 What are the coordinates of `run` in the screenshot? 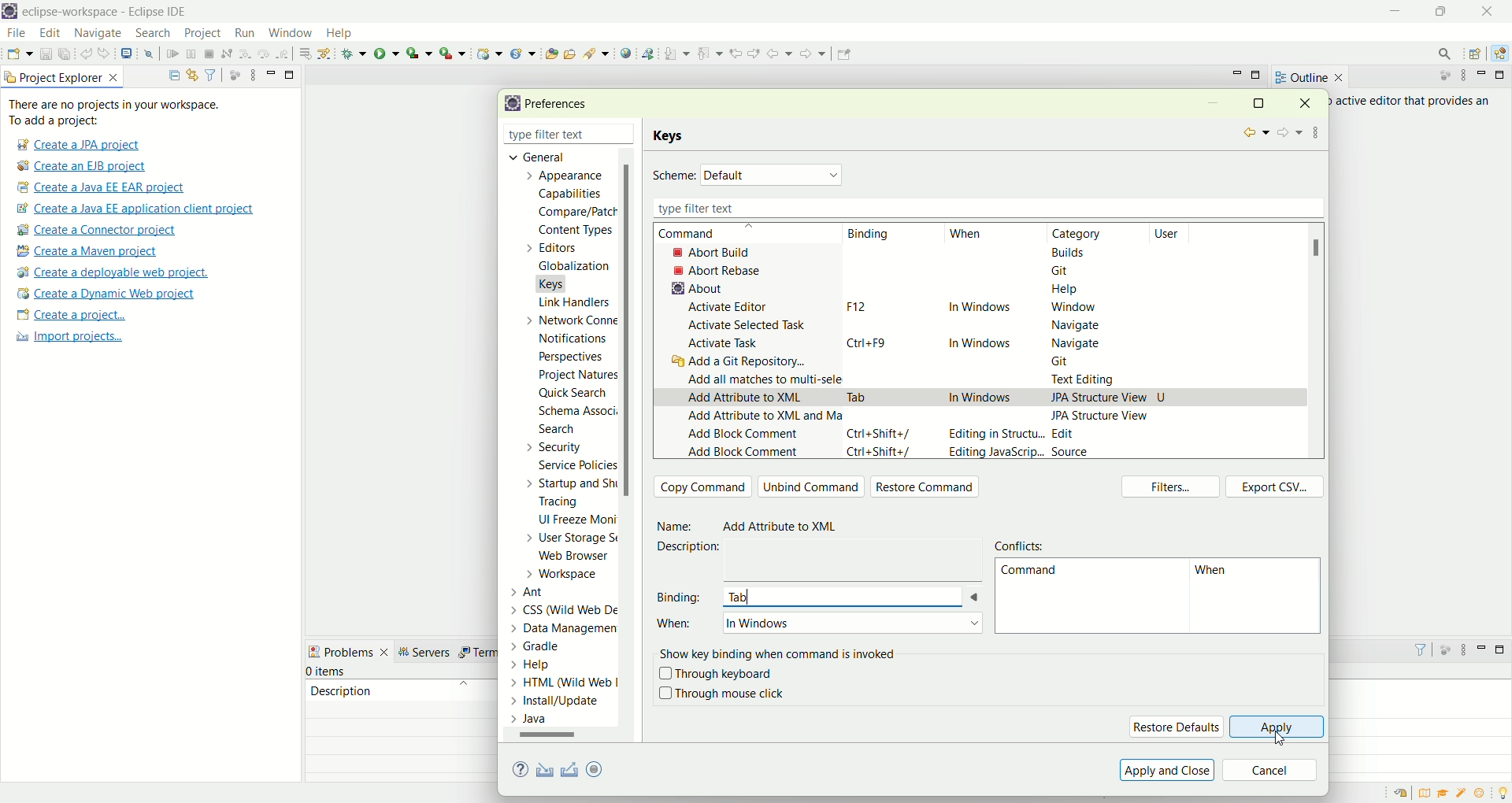 It's located at (243, 32).